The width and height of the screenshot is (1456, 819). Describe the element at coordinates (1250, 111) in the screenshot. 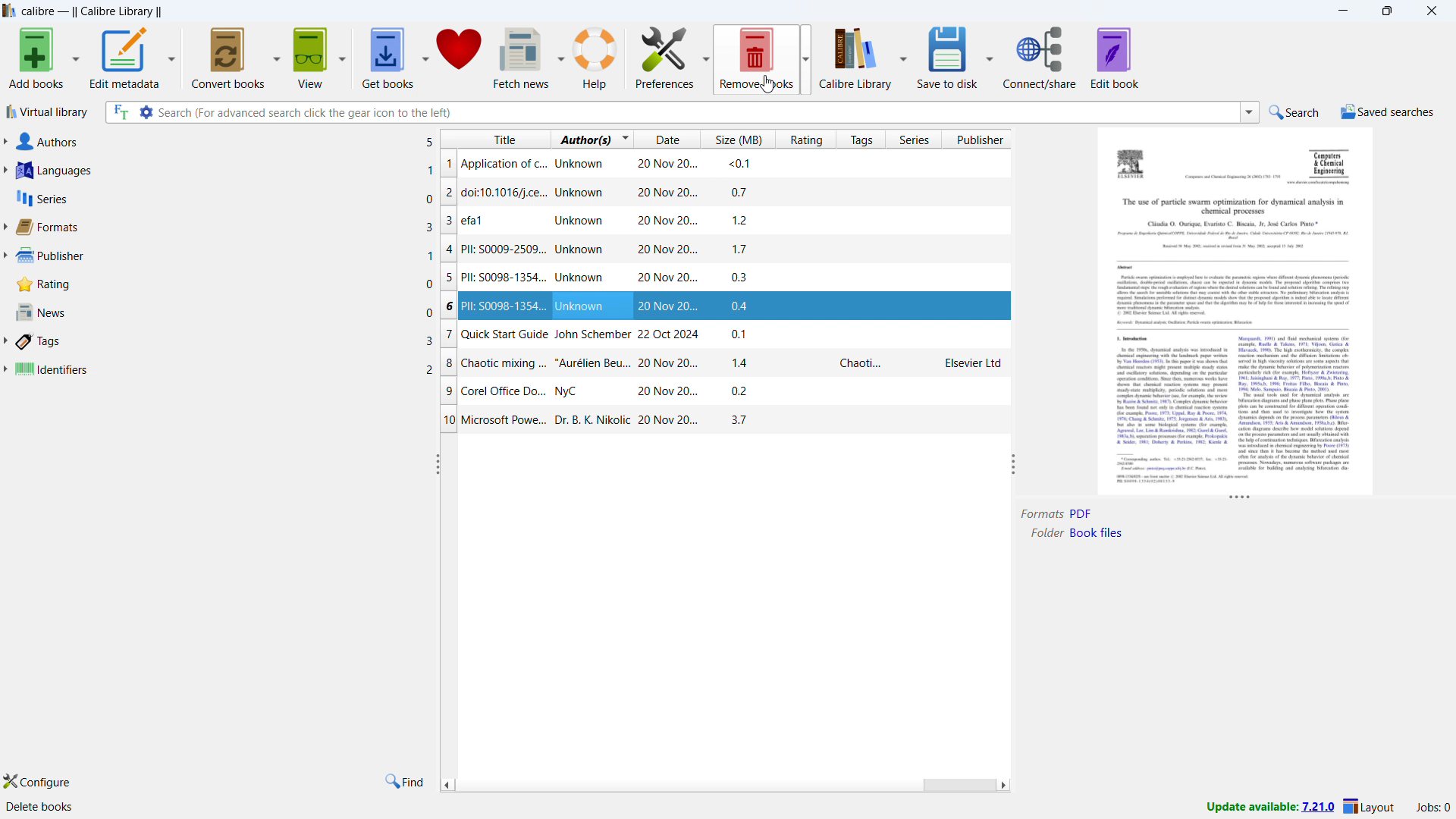

I see `search history` at that location.